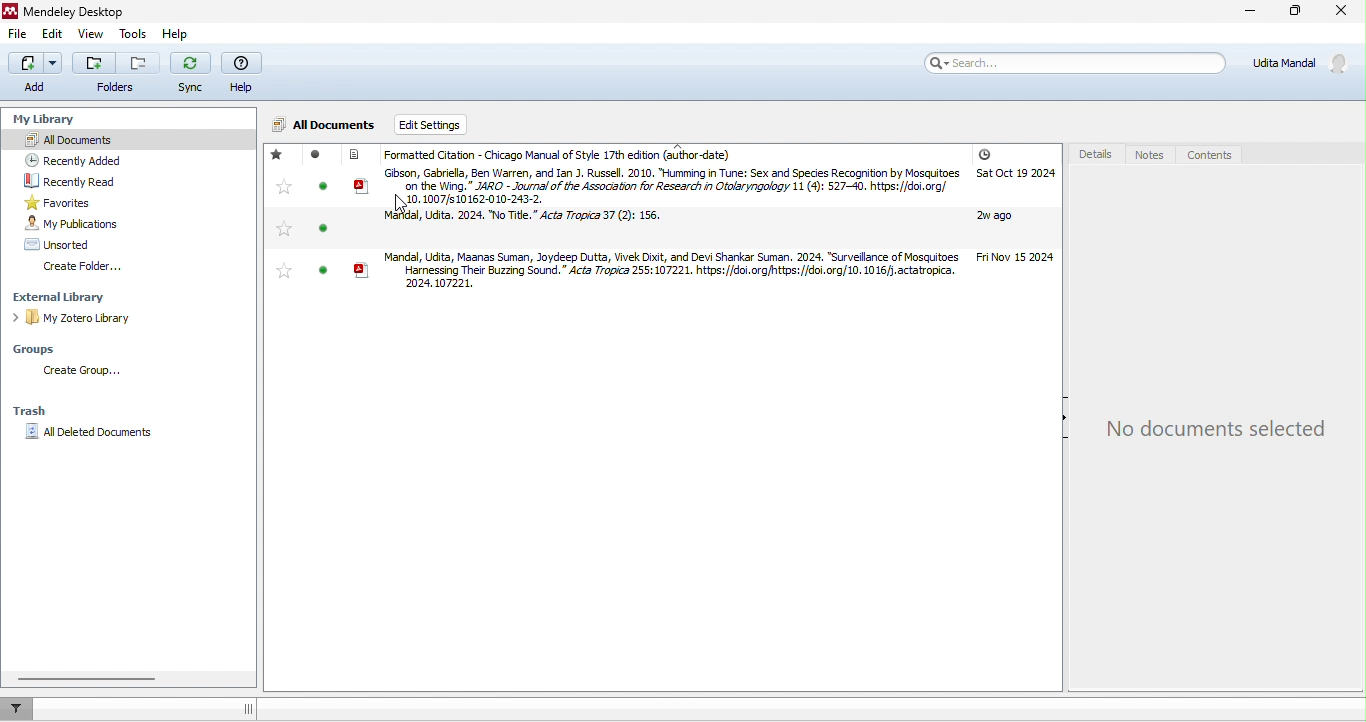 The image size is (1366, 722). I want to click on all document, so click(325, 127).